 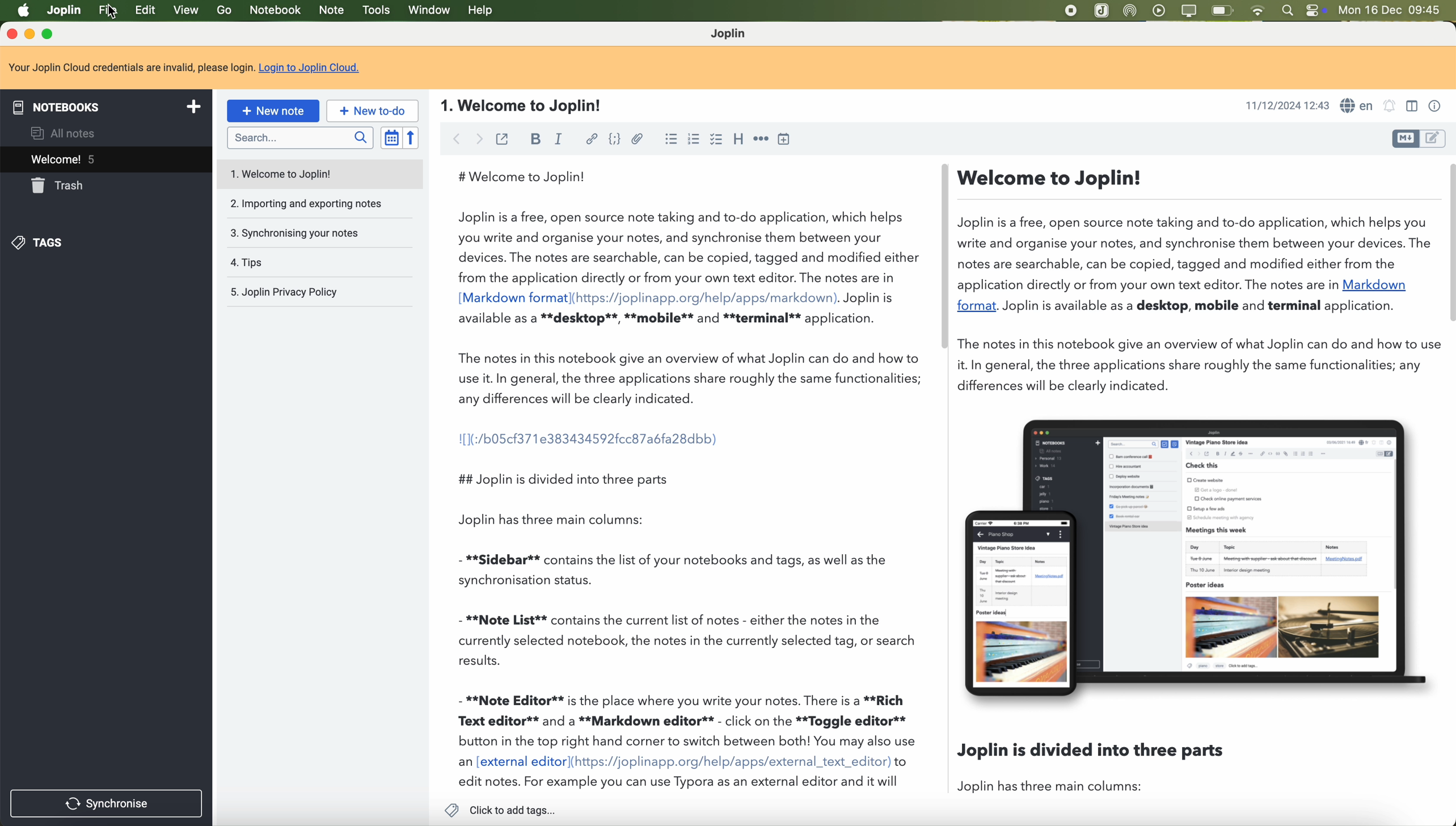 I want to click on click to add tags, so click(x=500, y=810).